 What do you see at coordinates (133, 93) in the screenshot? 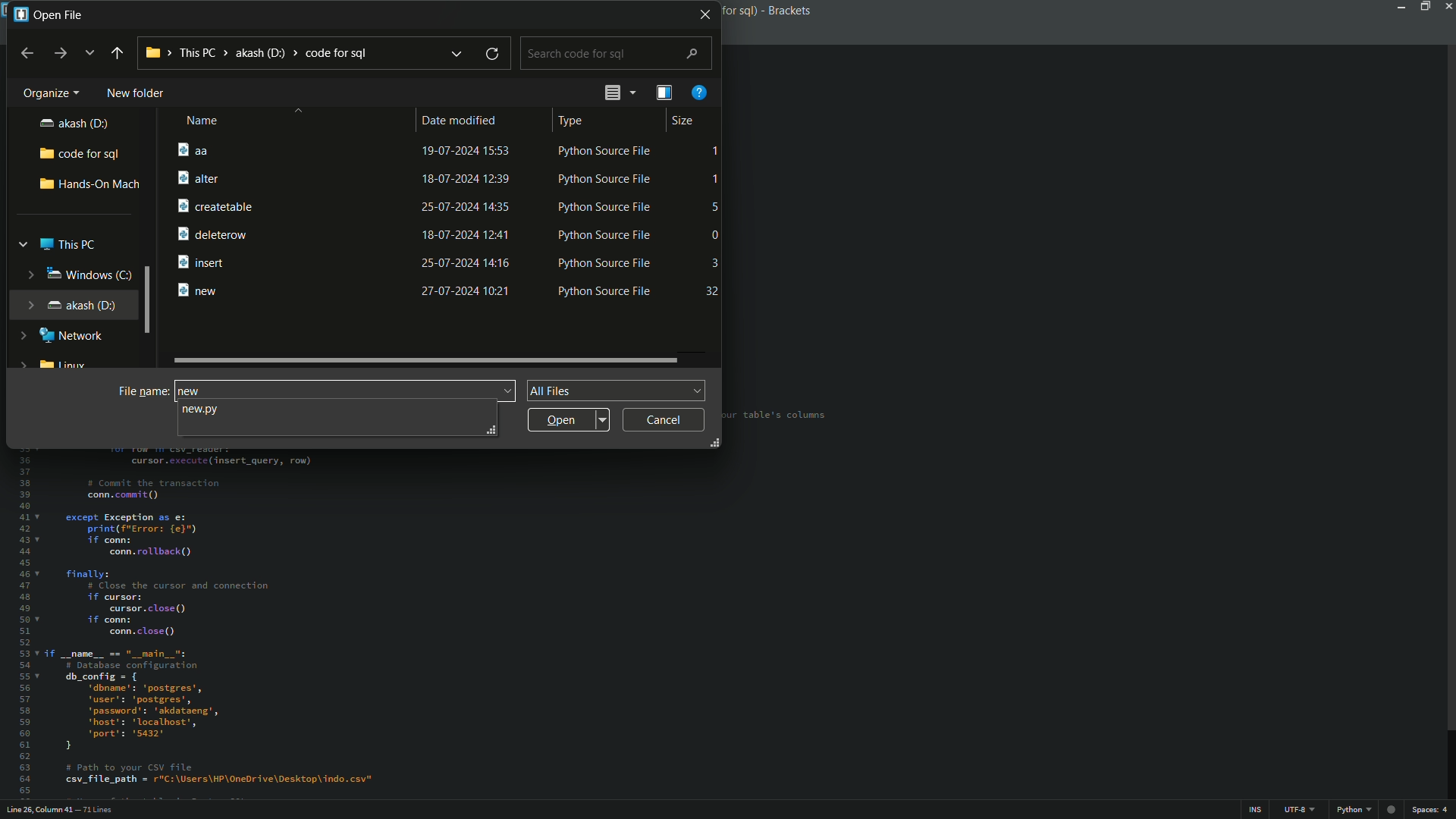
I see `new folder` at bounding box center [133, 93].